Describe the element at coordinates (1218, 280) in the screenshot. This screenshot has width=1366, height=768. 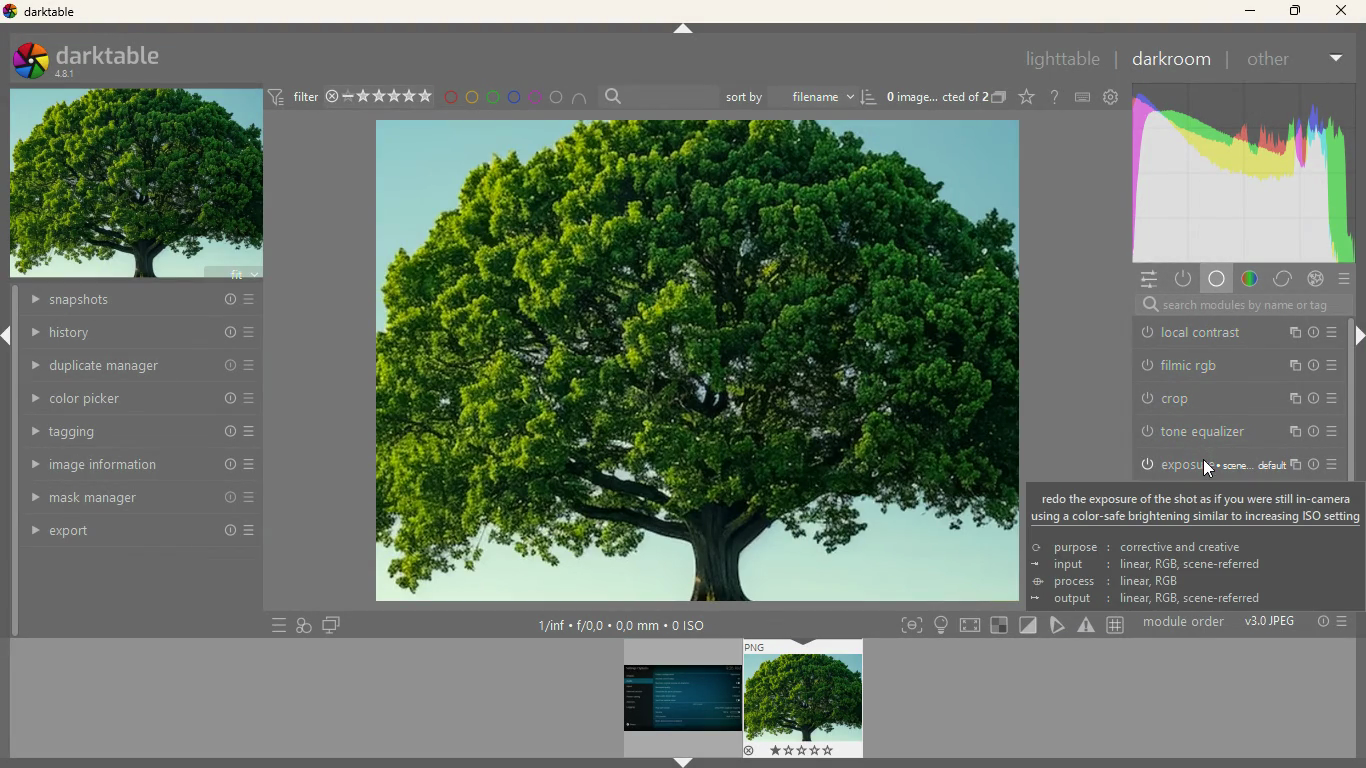
I see `base` at that location.